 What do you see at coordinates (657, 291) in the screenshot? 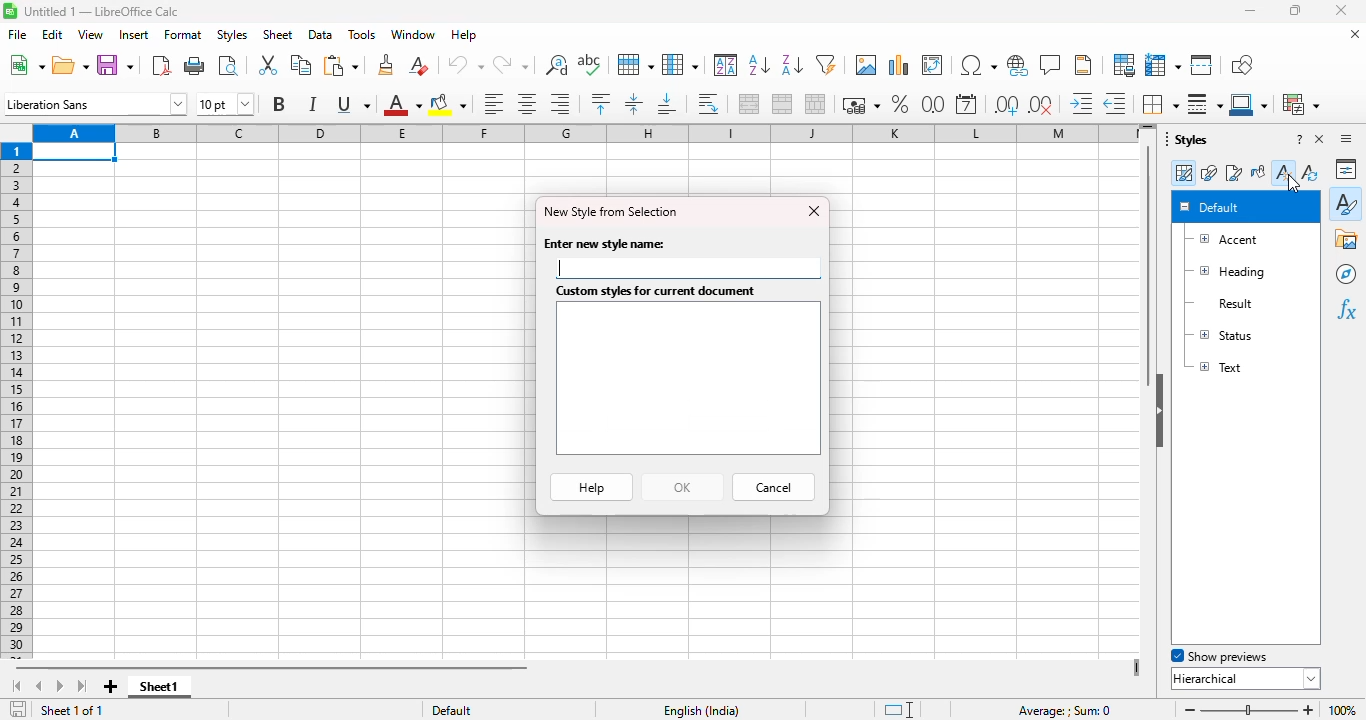
I see `custom styles for current document` at bounding box center [657, 291].